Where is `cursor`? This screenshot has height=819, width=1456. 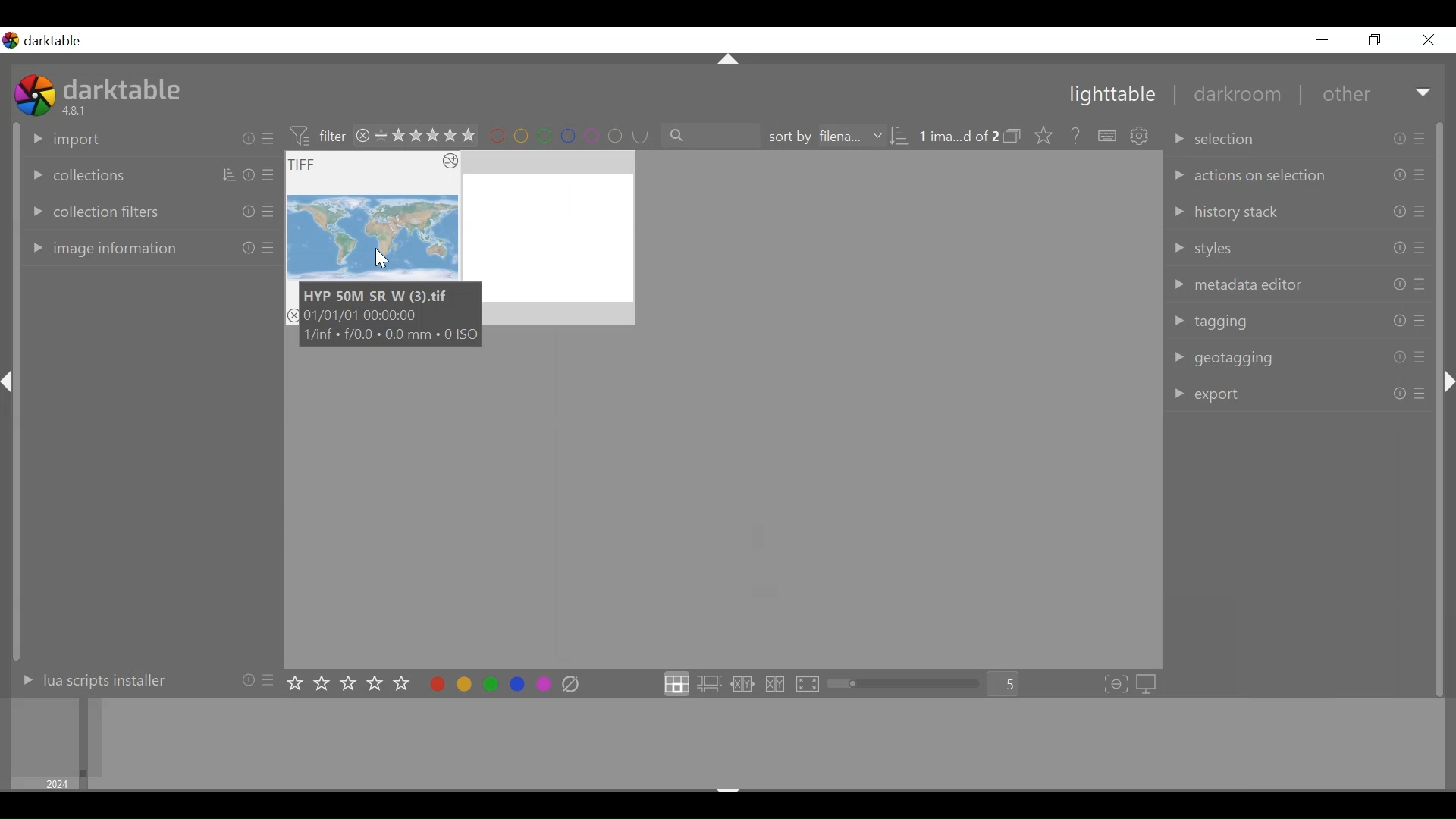
cursor is located at coordinates (381, 257).